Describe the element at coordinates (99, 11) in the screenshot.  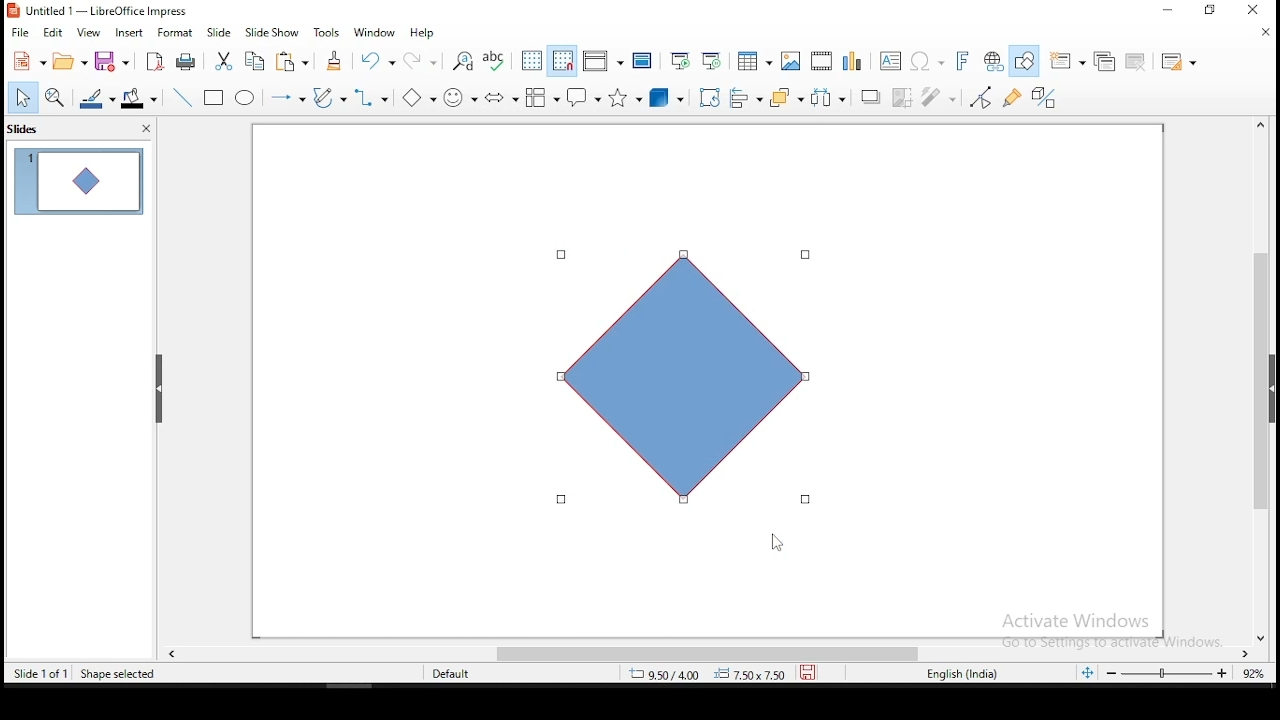
I see `icon and filename` at that location.